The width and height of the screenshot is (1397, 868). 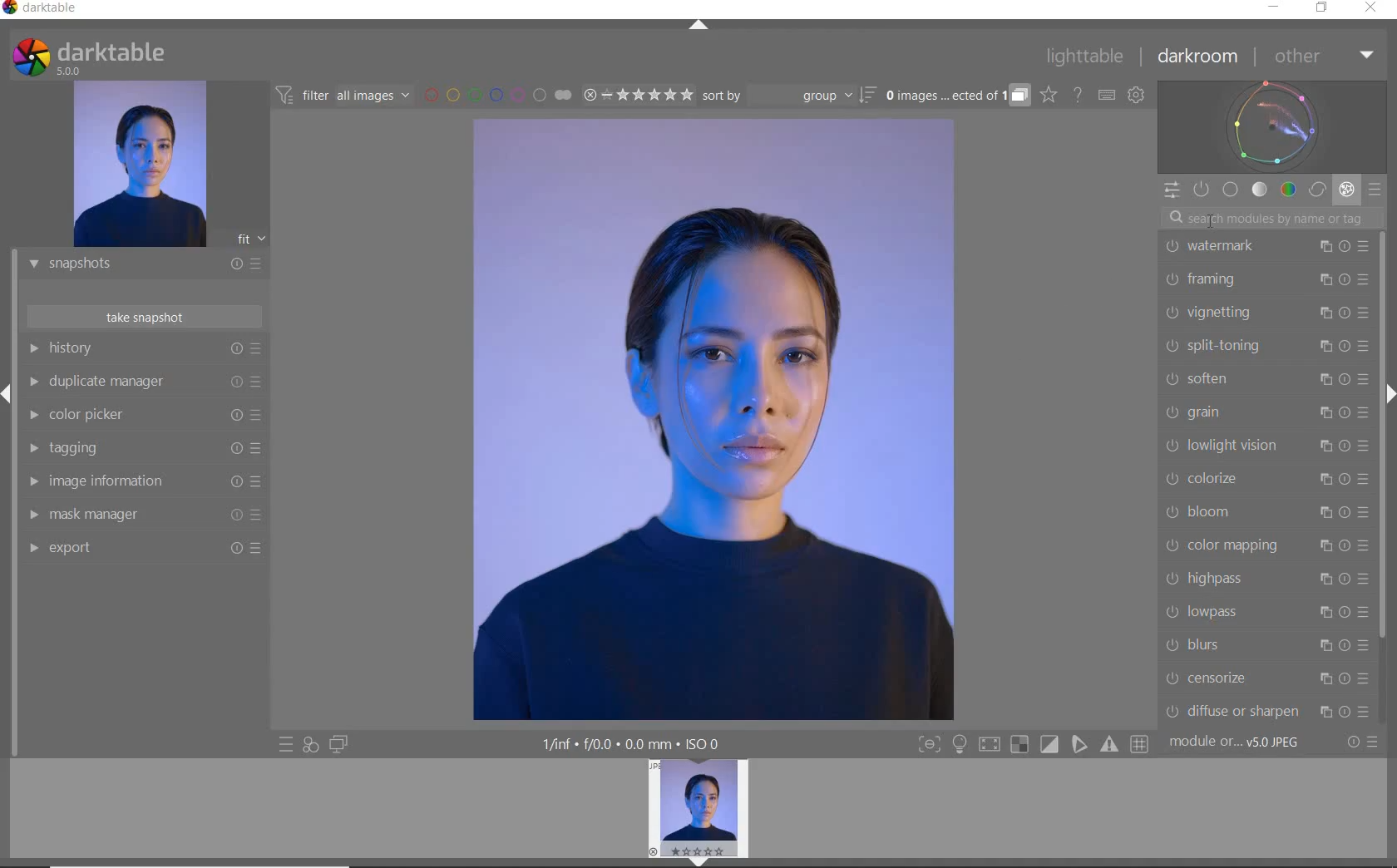 What do you see at coordinates (1265, 377) in the screenshot?
I see `SOFTEN` at bounding box center [1265, 377].